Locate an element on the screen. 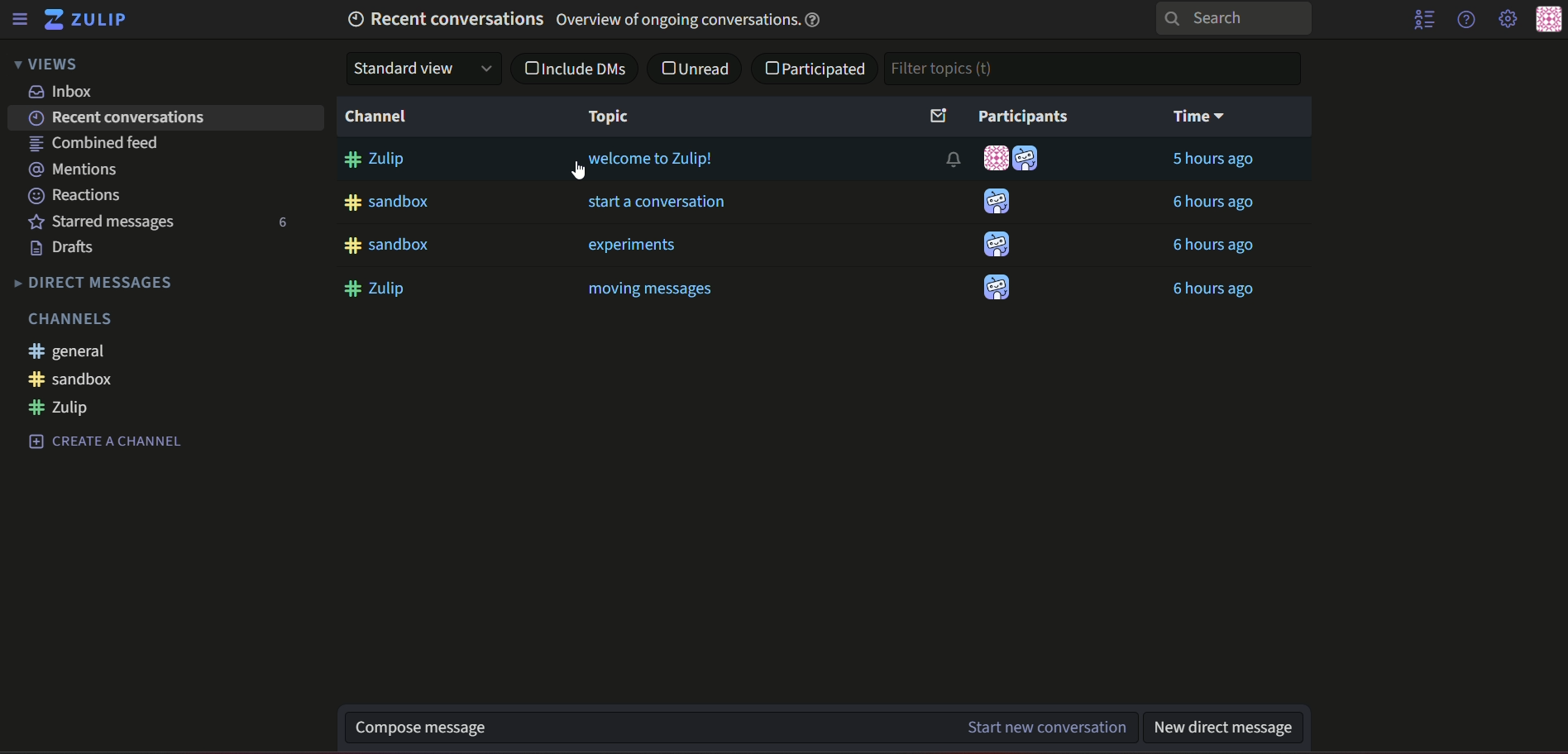 Image resolution: width=1568 pixels, height=754 pixels. 6 is located at coordinates (286, 228).